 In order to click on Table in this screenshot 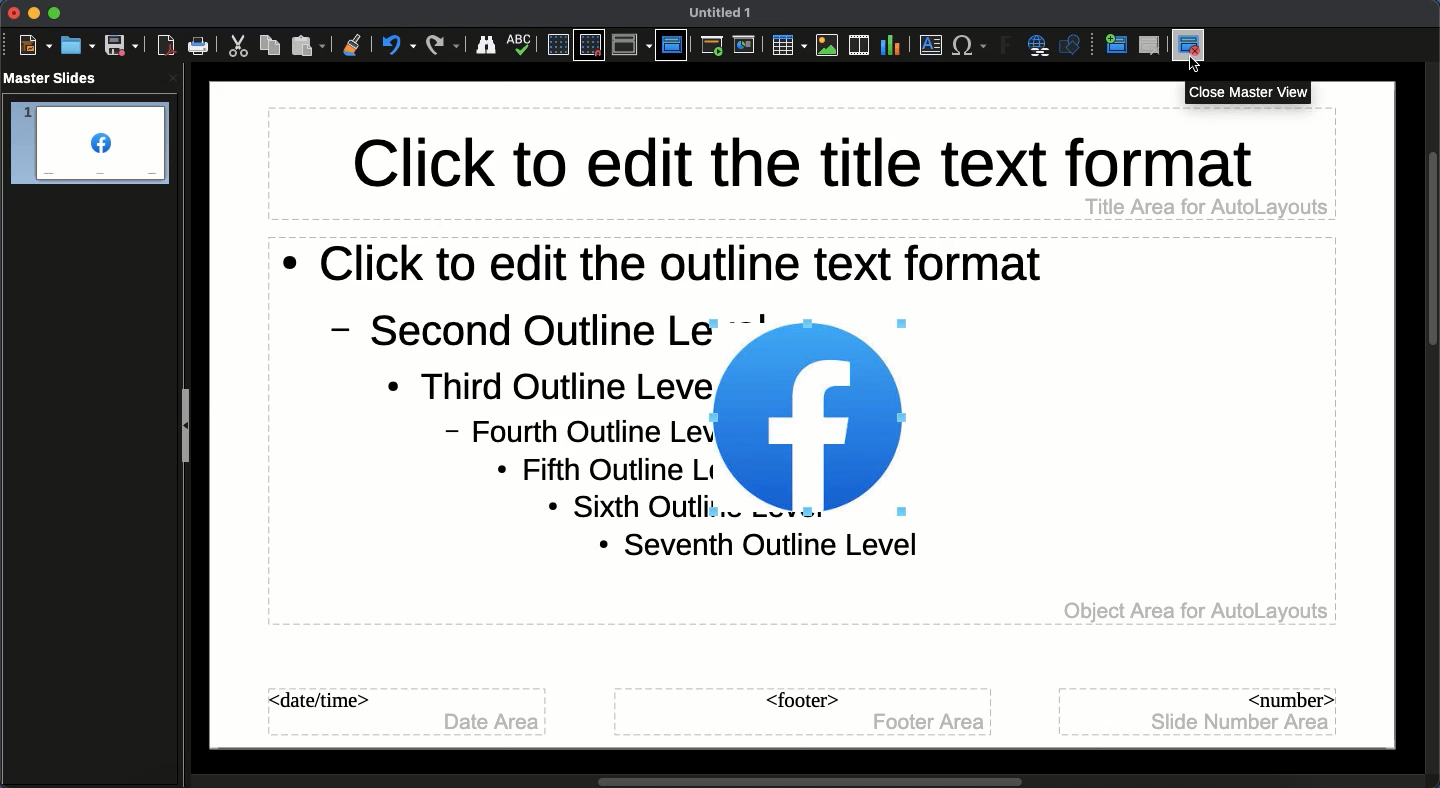, I will do `click(789, 46)`.